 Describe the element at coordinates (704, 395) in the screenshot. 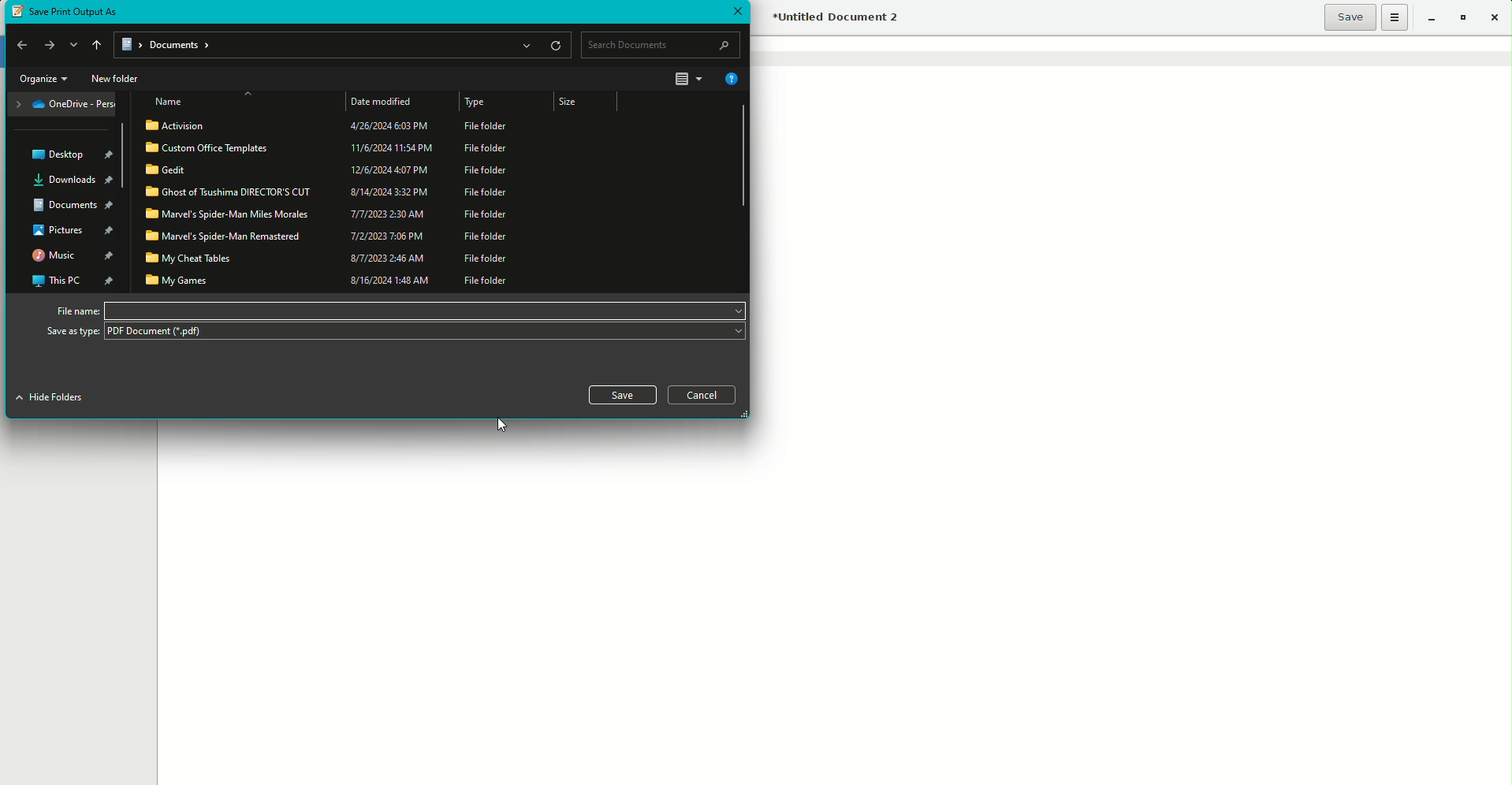

I see `Cancel` at that location.